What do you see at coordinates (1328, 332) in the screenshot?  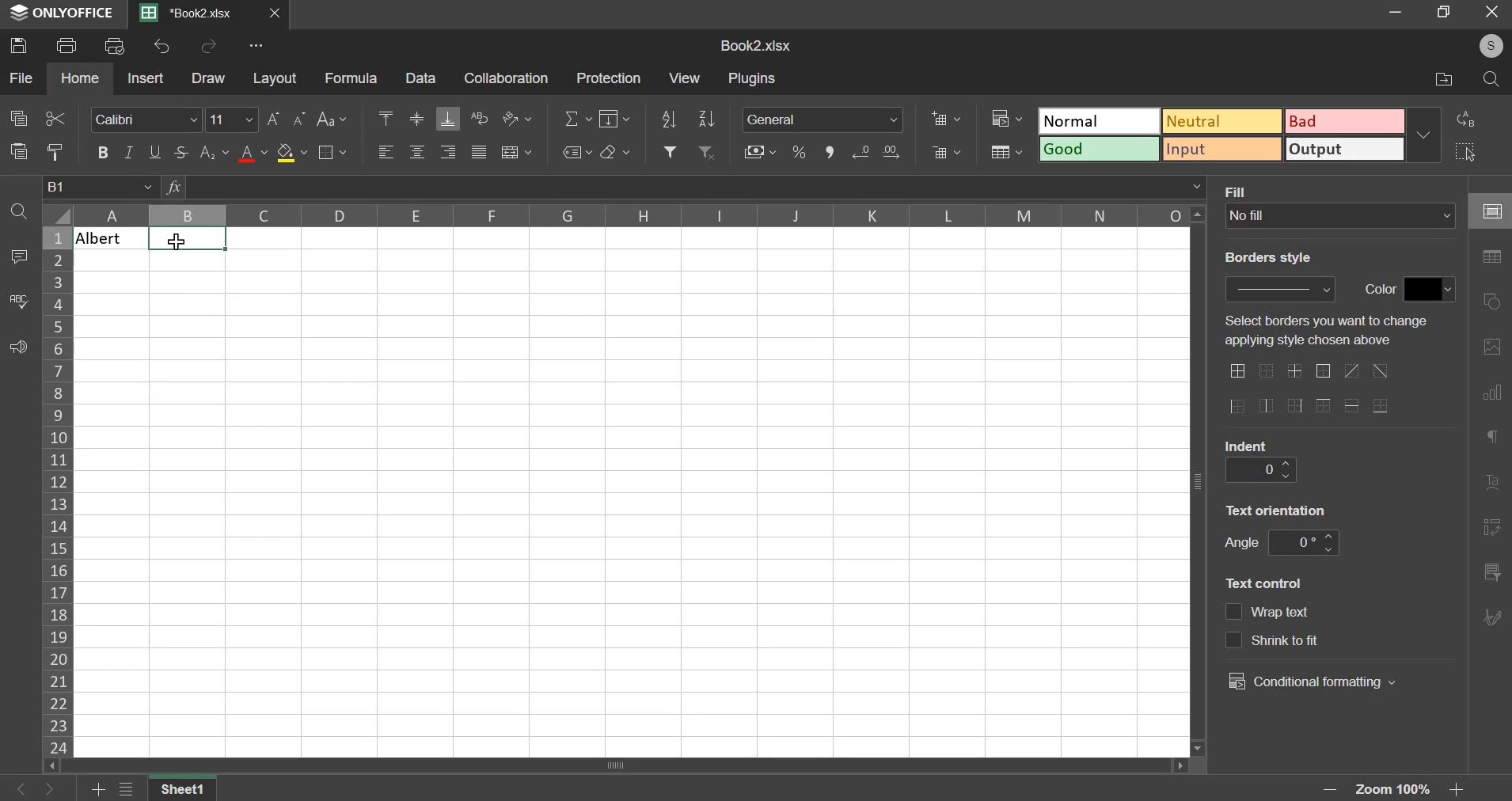 I see `select borders you want to change applying style chosen above` at bounding box center [1328, 332].